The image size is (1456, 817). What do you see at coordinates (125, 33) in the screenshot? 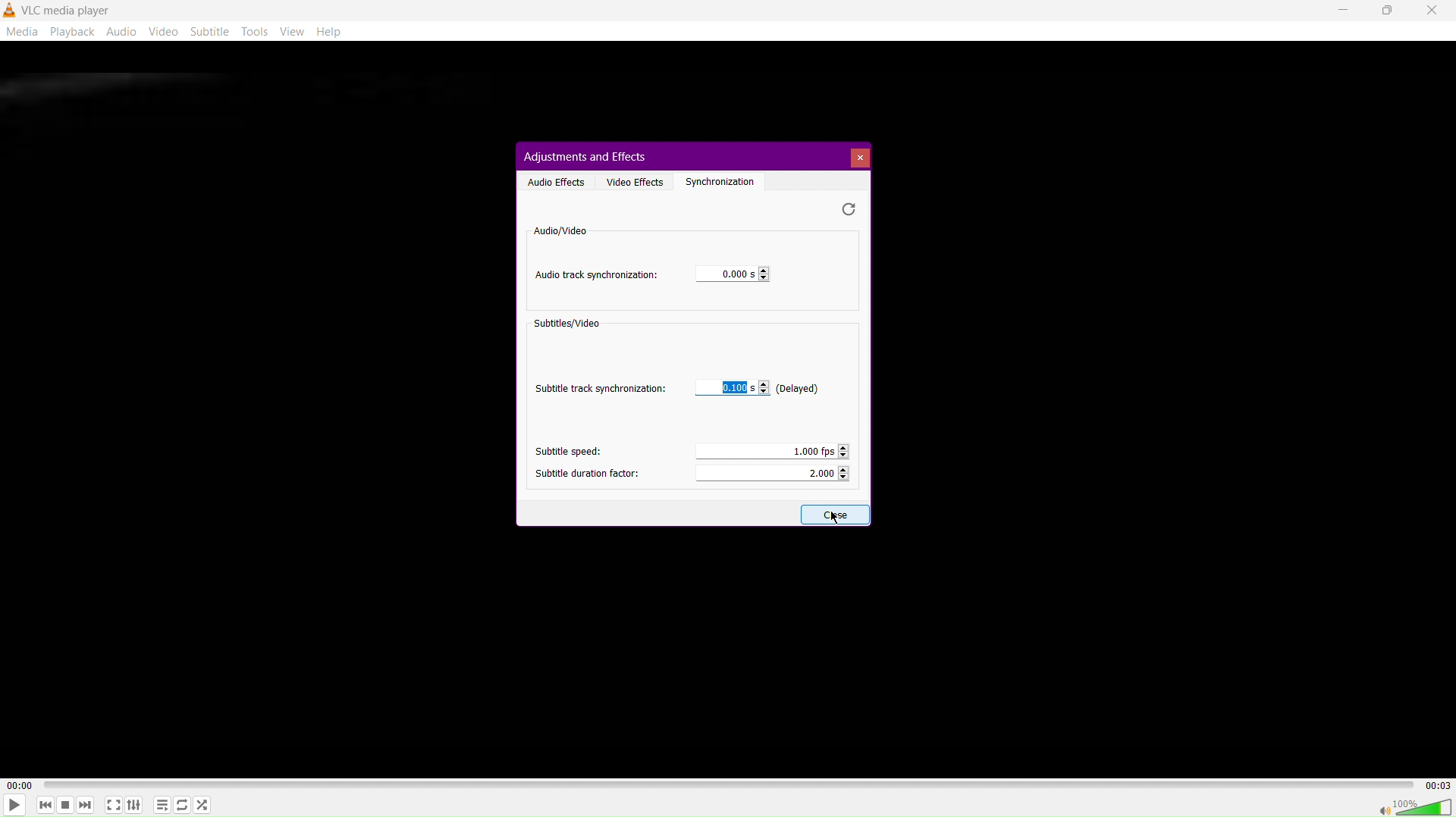
I see `Audio` at bounding box center [125, 33].